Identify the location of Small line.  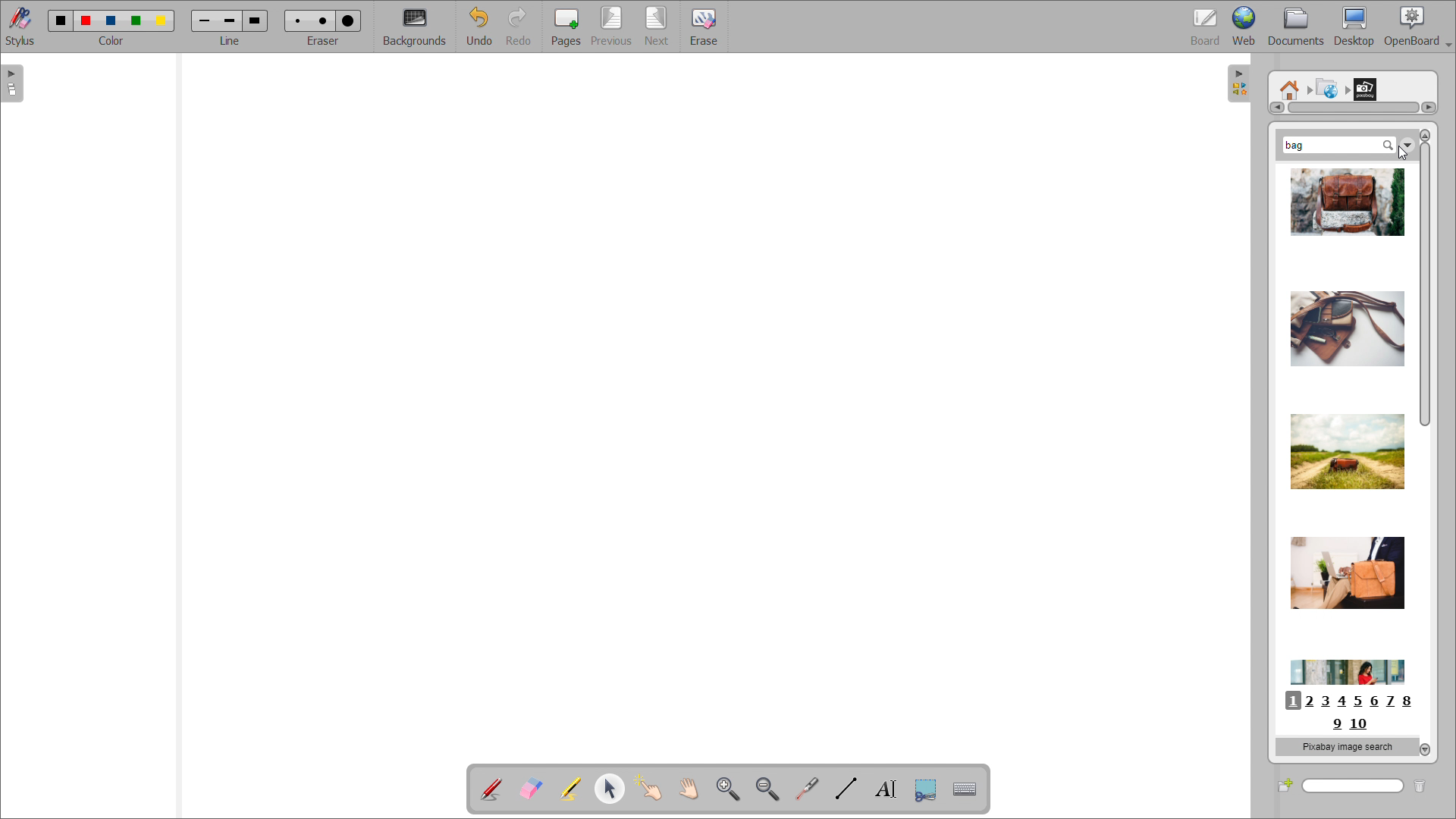
(205, 19).